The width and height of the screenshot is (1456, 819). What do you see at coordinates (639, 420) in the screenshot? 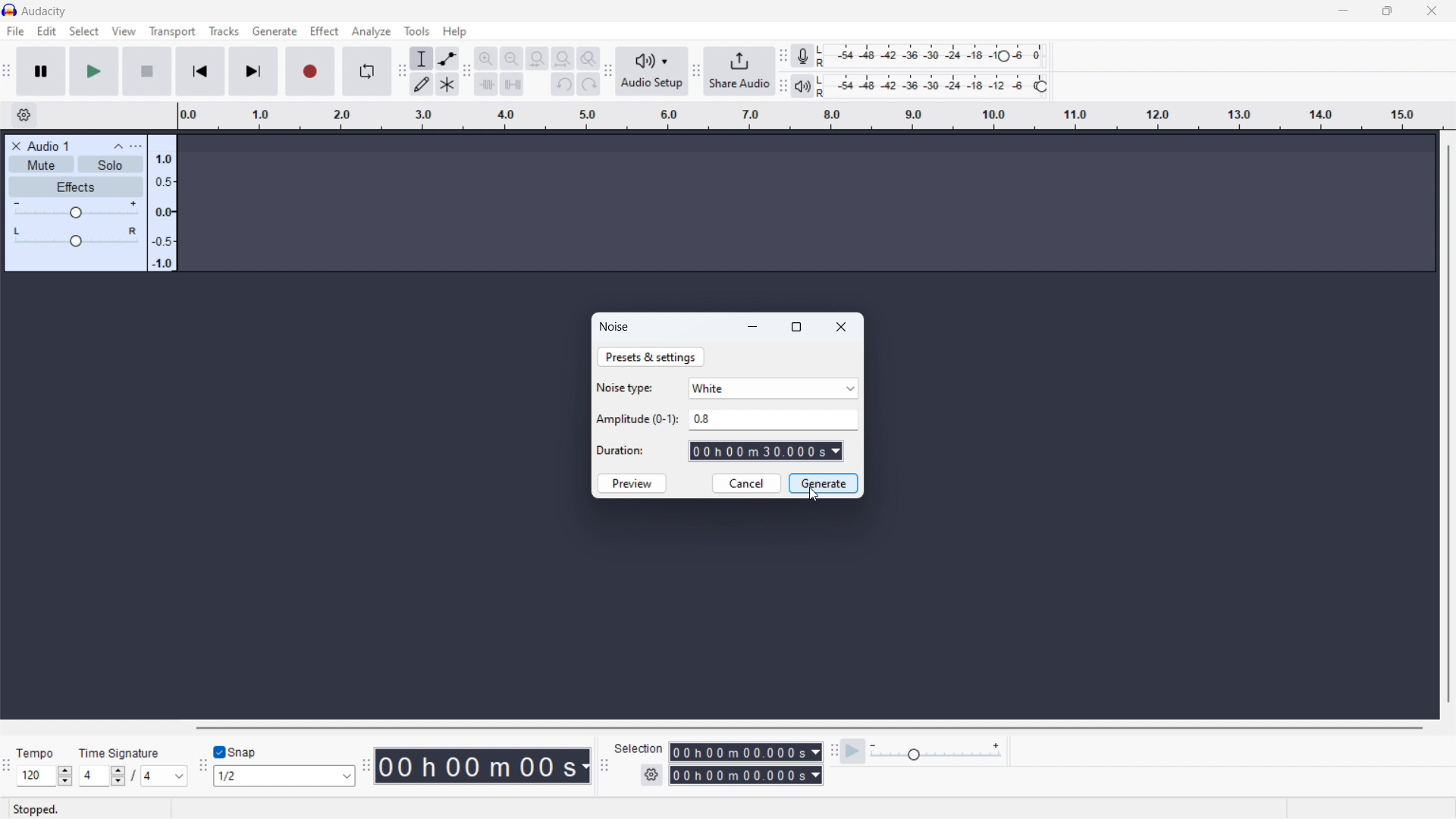
I see `amplitude` at bounding box center [639, 420].